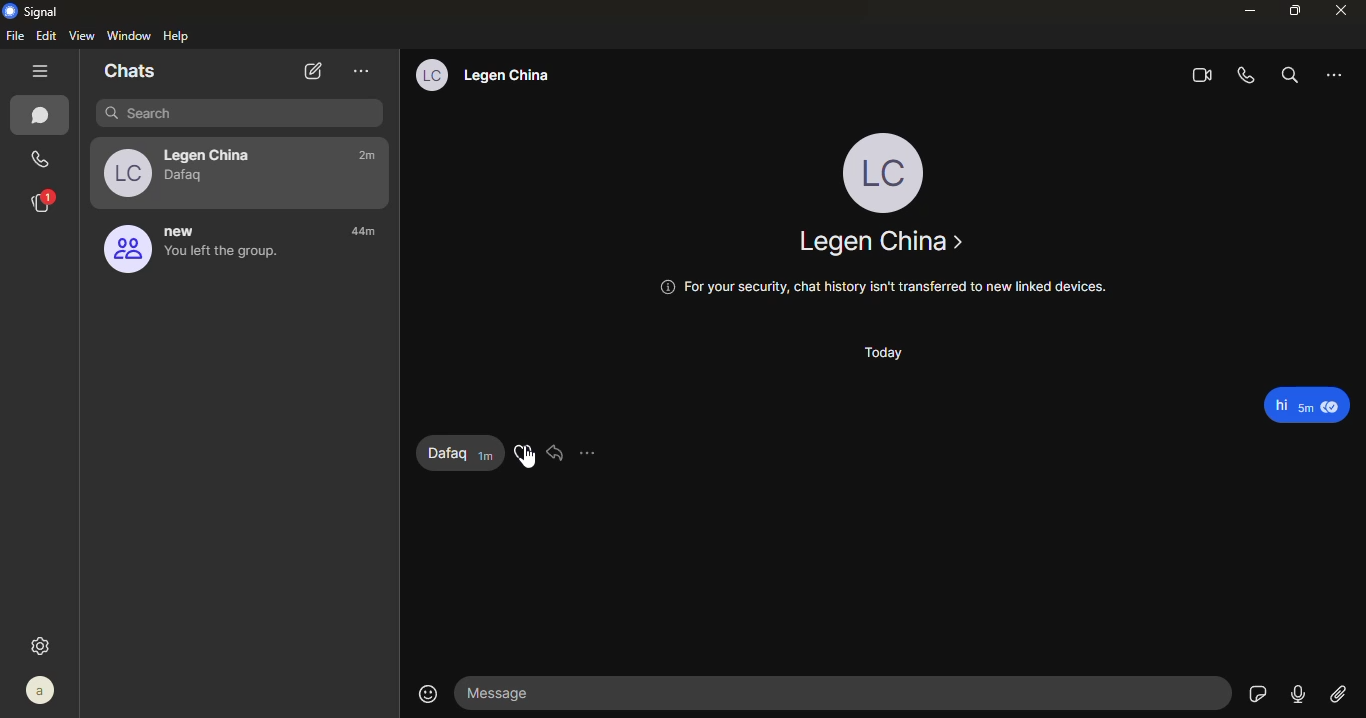  I want to click on message, so click(846, 691).